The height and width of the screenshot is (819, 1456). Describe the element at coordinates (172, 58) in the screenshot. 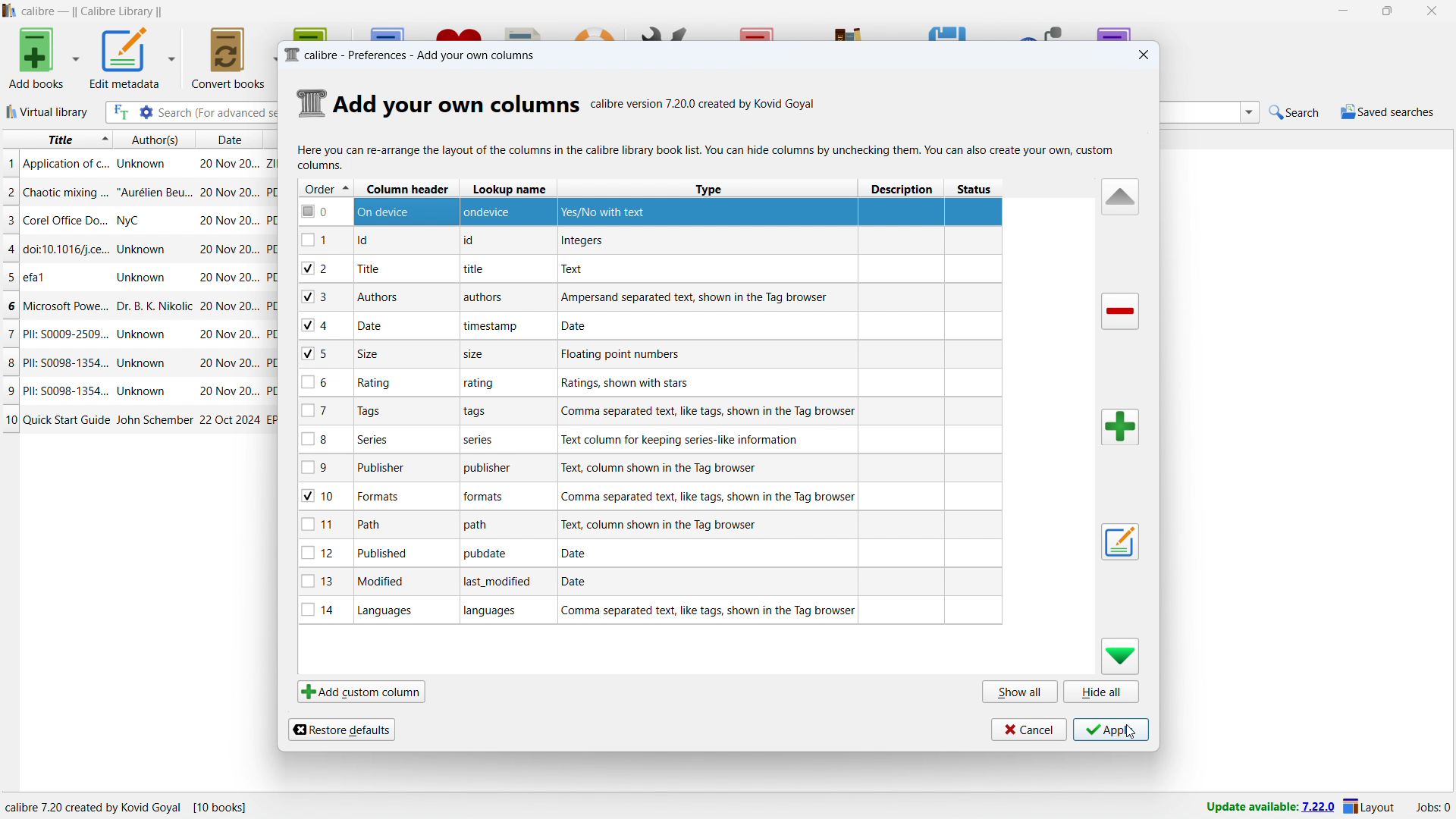

I see `edit metadata options` at that location.